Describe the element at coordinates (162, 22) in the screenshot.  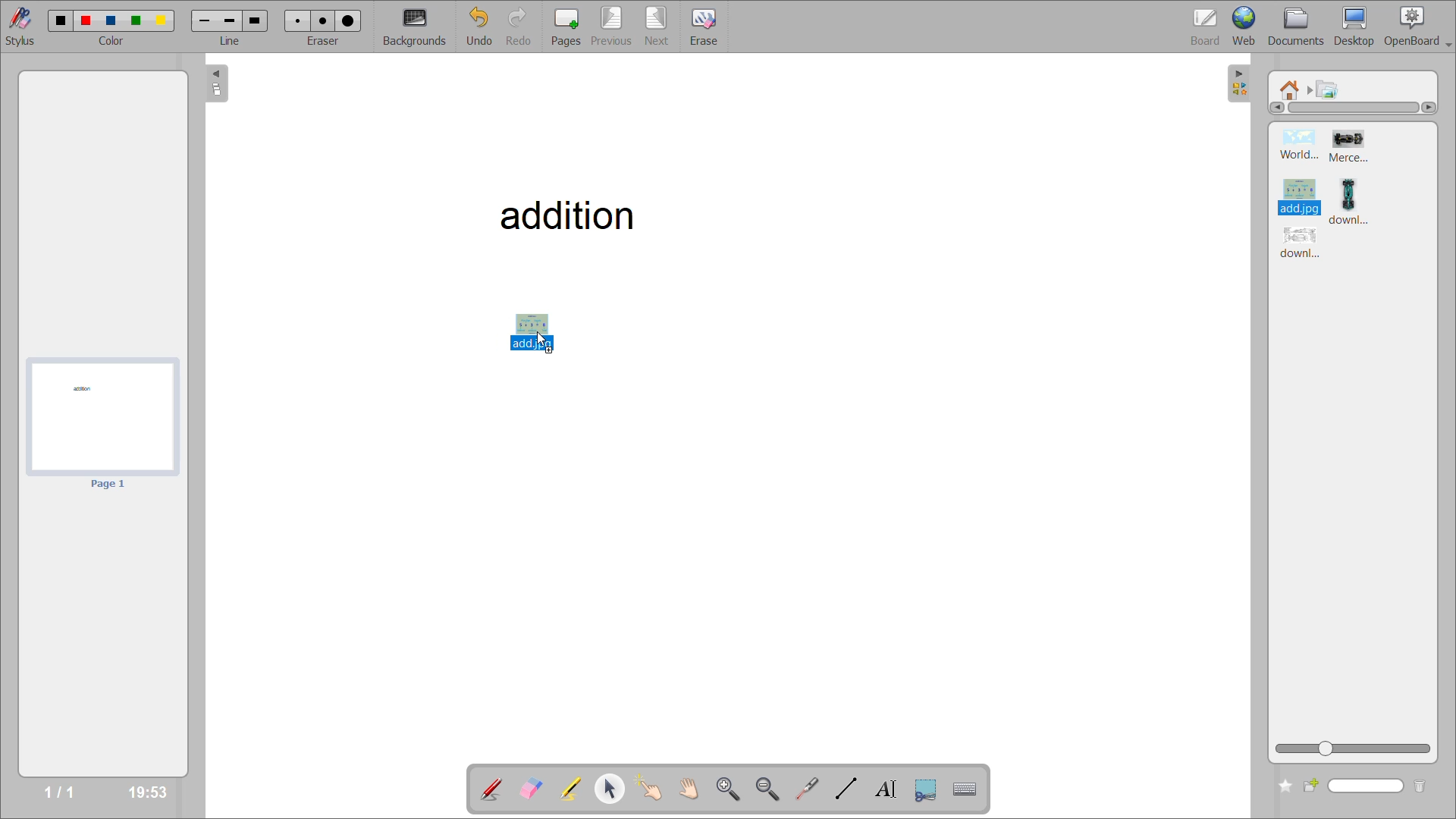
I see `color 5` at that location.